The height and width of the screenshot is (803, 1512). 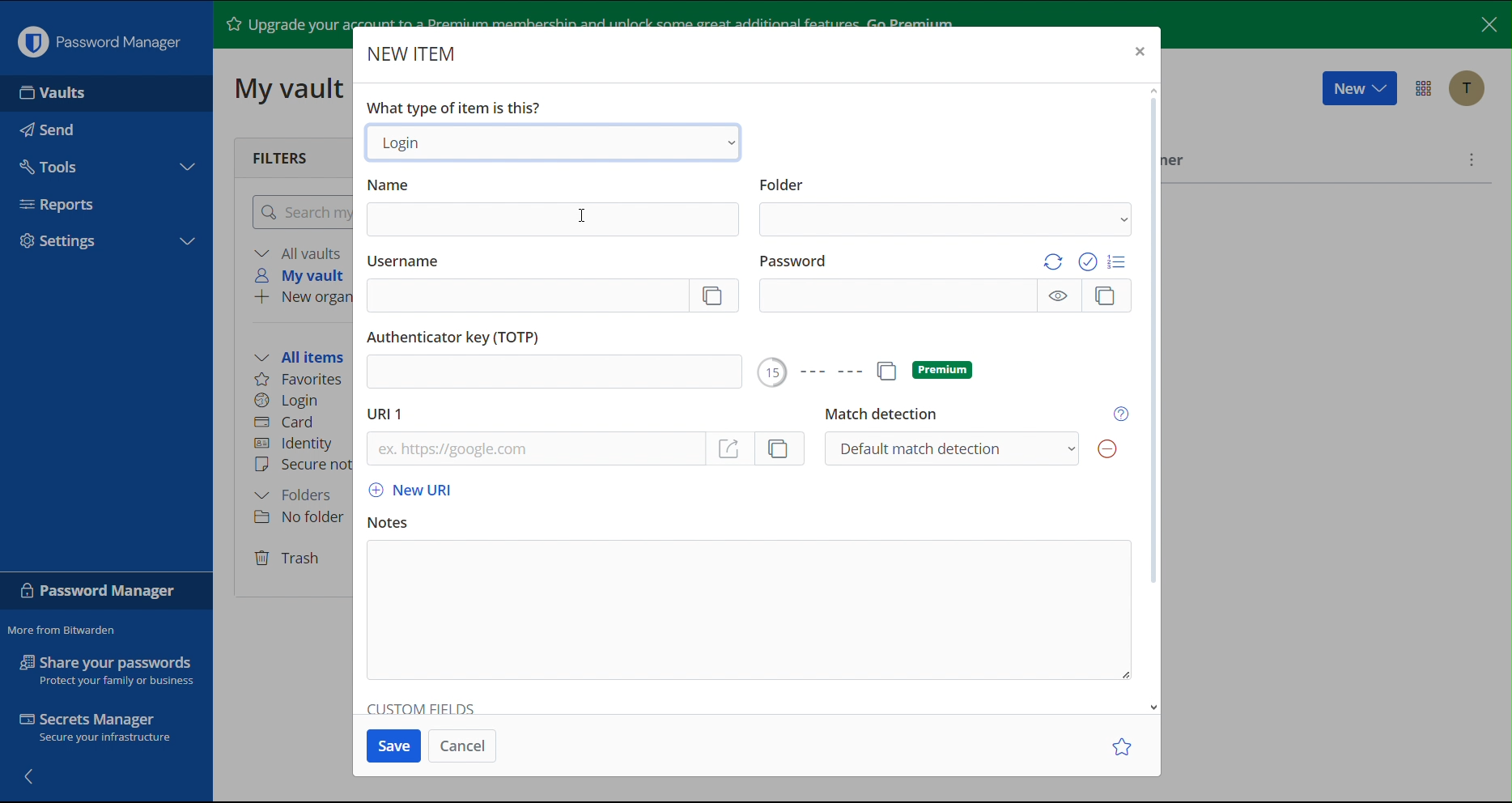 I want to click on New URL, so click(x=421, y=489).